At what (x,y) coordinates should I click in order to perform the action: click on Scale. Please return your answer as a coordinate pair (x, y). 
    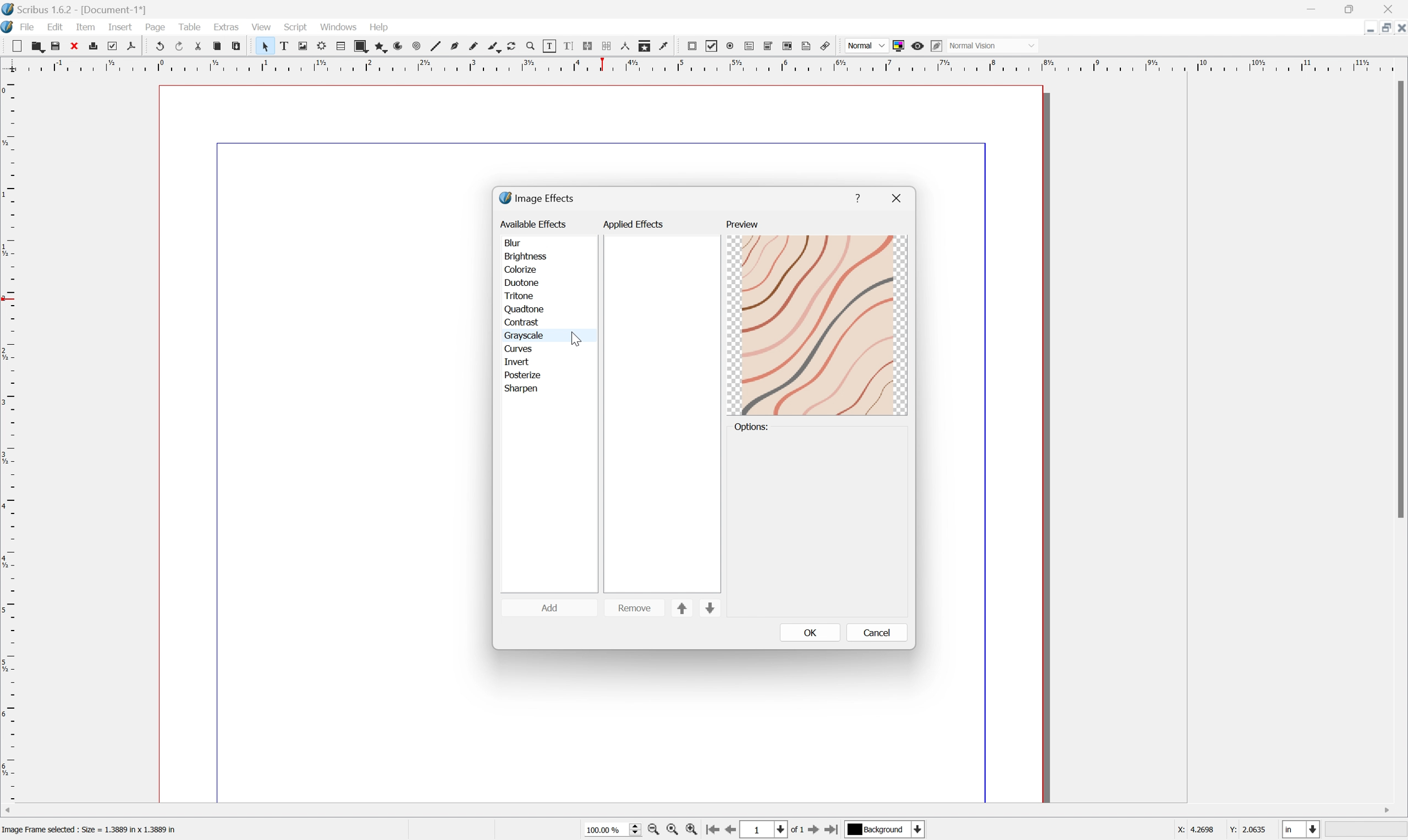
    Looking at the image, I should click on (9, 439).